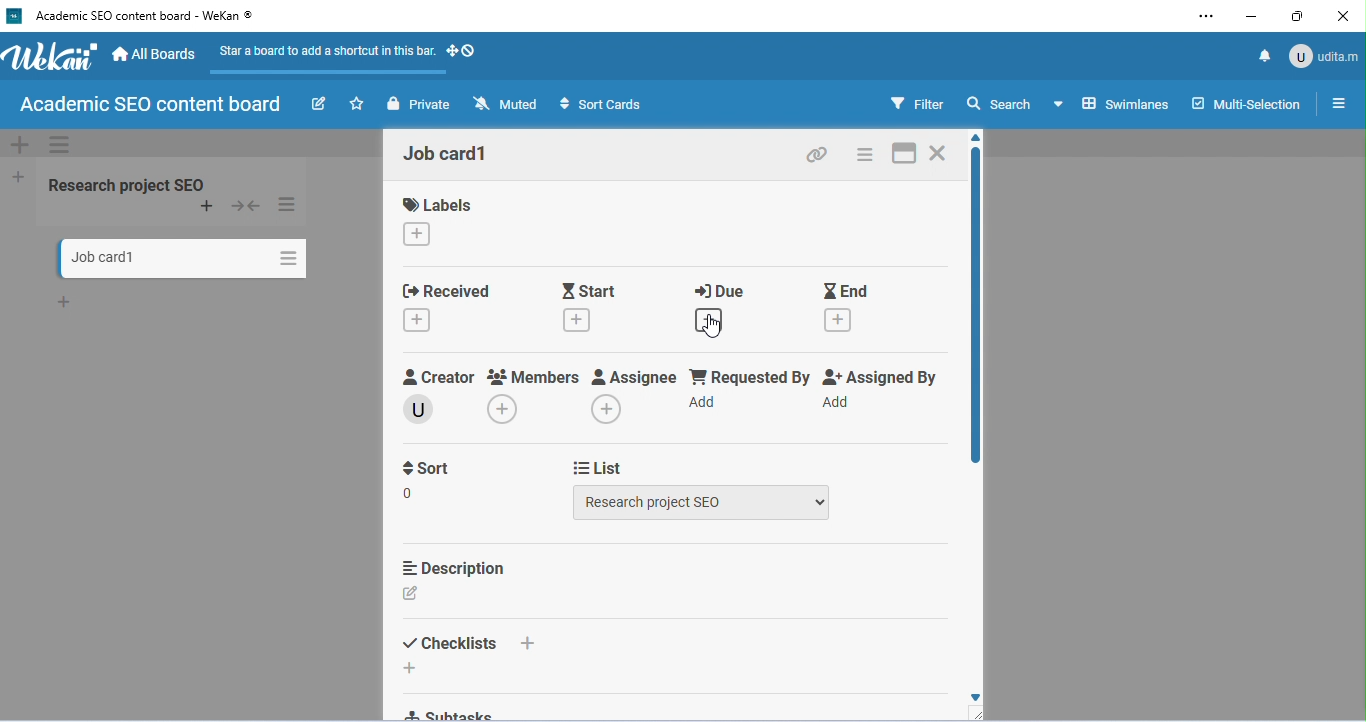  I want to click on add card to top of list, so click(210, 207).